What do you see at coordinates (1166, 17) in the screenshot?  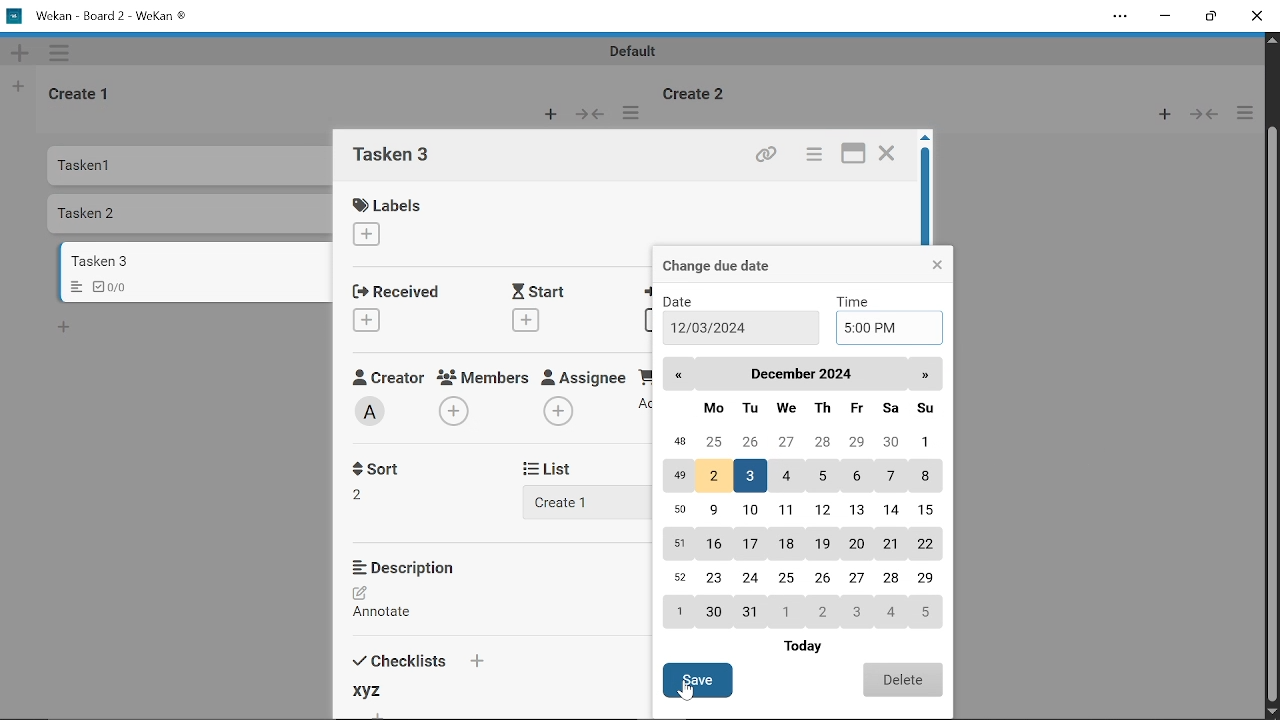 I see `Minimize` at bounding box center [1166, 17].